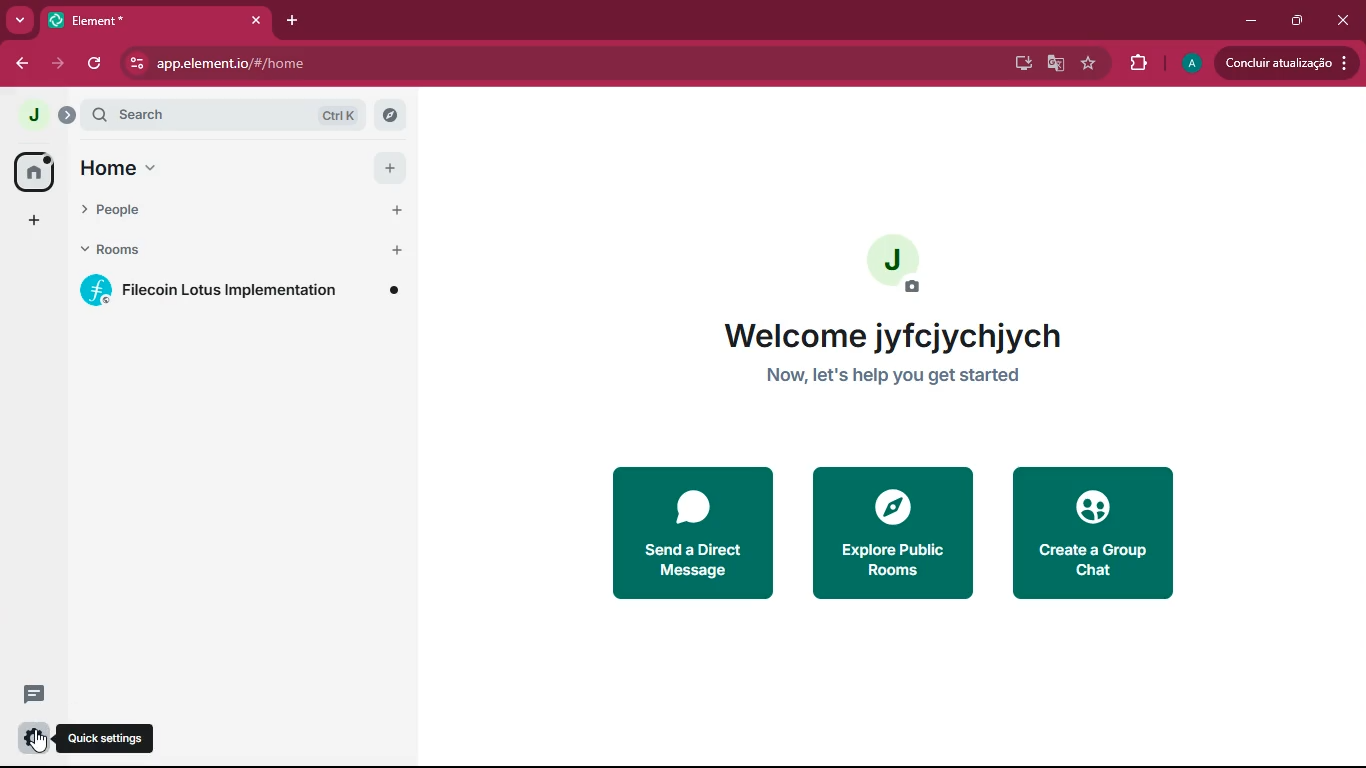  Describe the element at coordinates (695, 532) in the screenshot. I see `send a direct message` at that location.